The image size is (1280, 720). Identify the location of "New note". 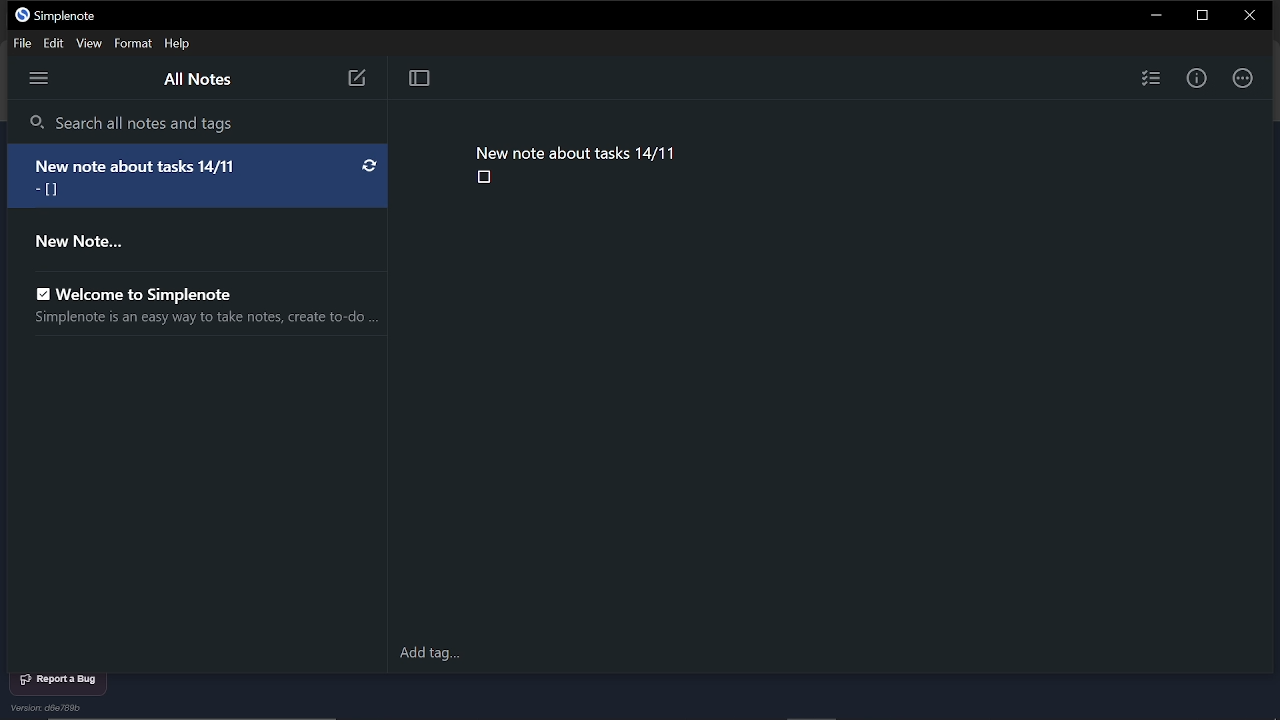
(185, 239).